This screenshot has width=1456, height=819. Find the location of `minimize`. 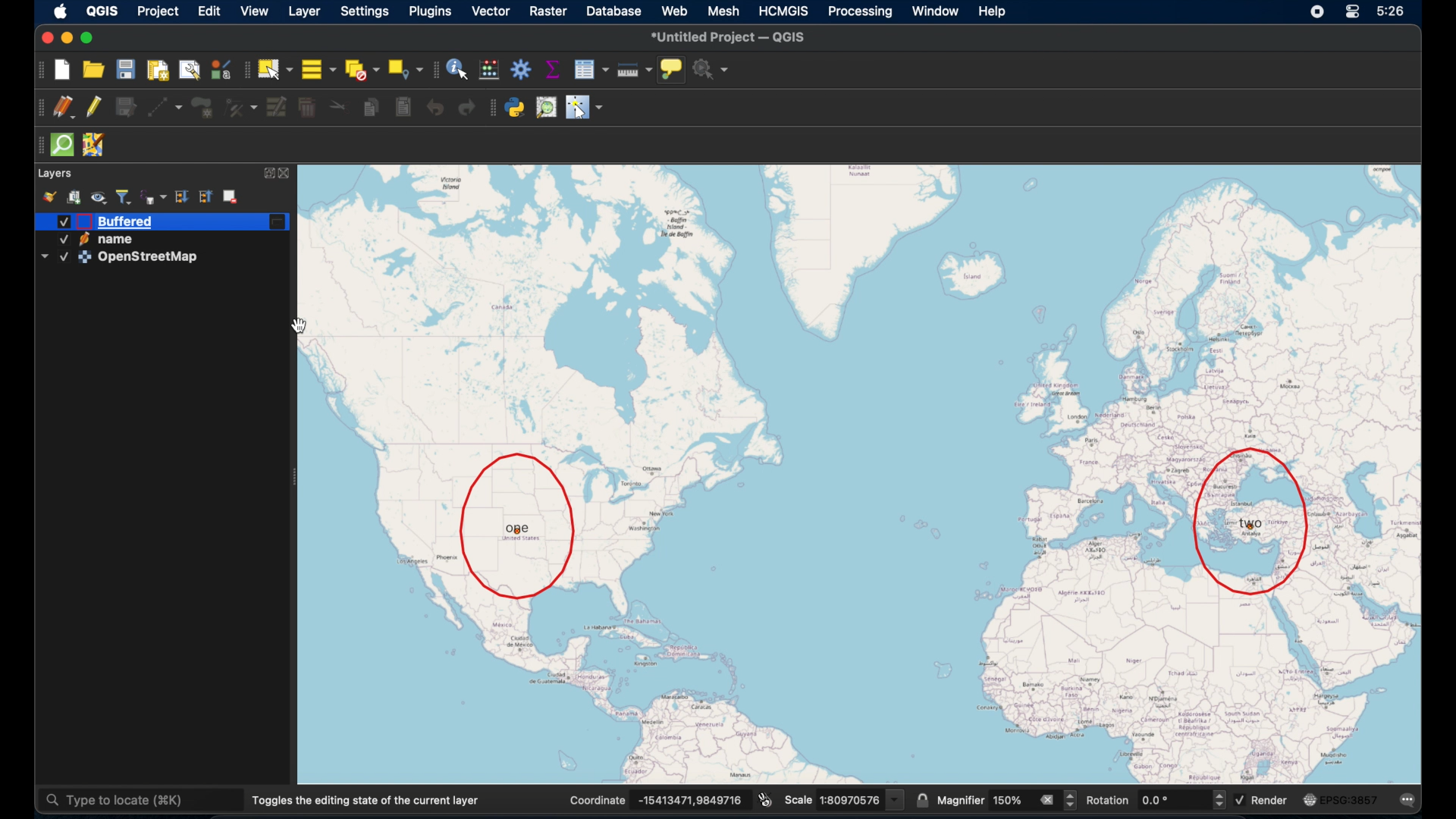

minimize is located at coordinates (65, 38).